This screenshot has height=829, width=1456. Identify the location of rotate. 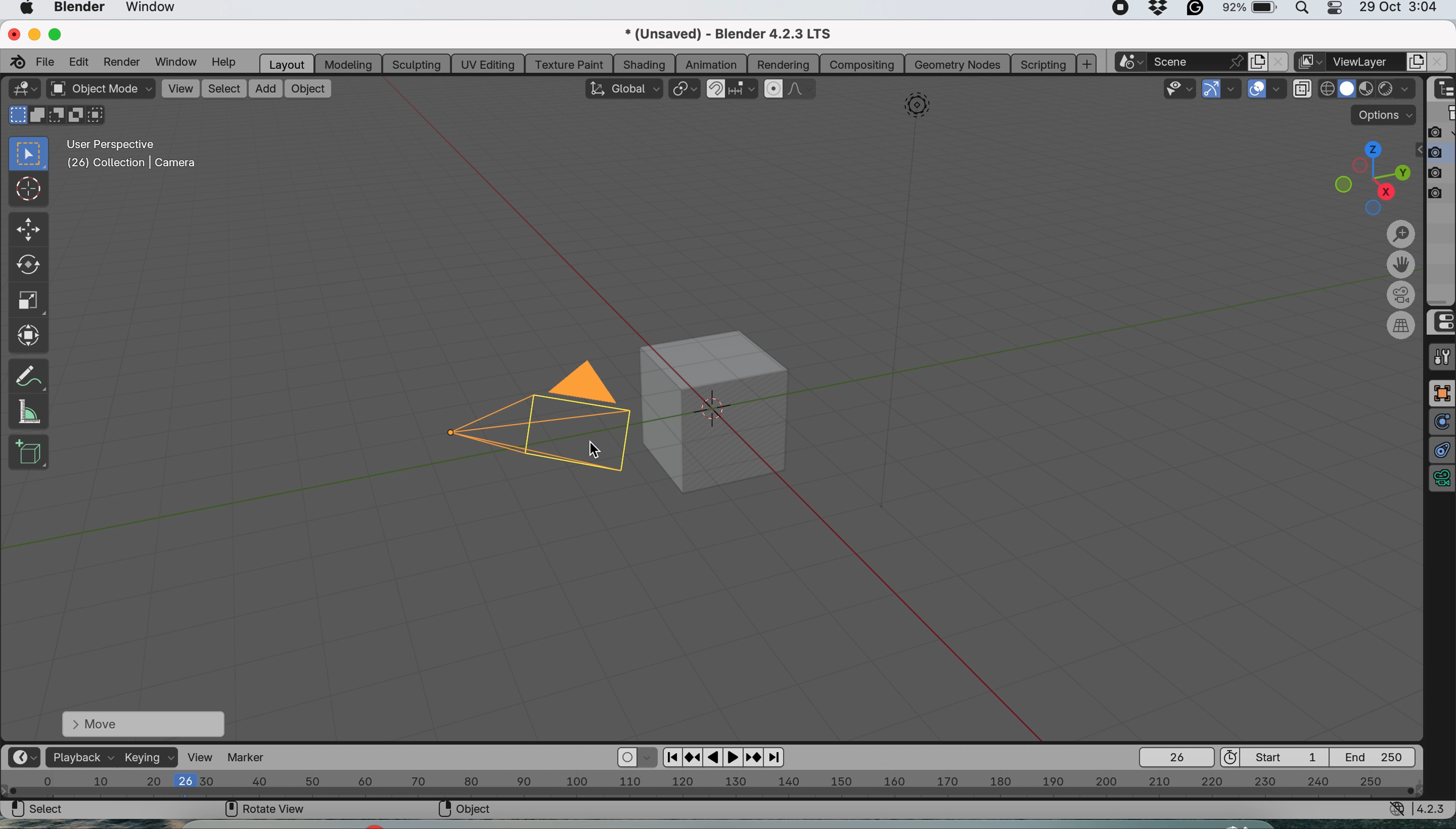
(26, 268).